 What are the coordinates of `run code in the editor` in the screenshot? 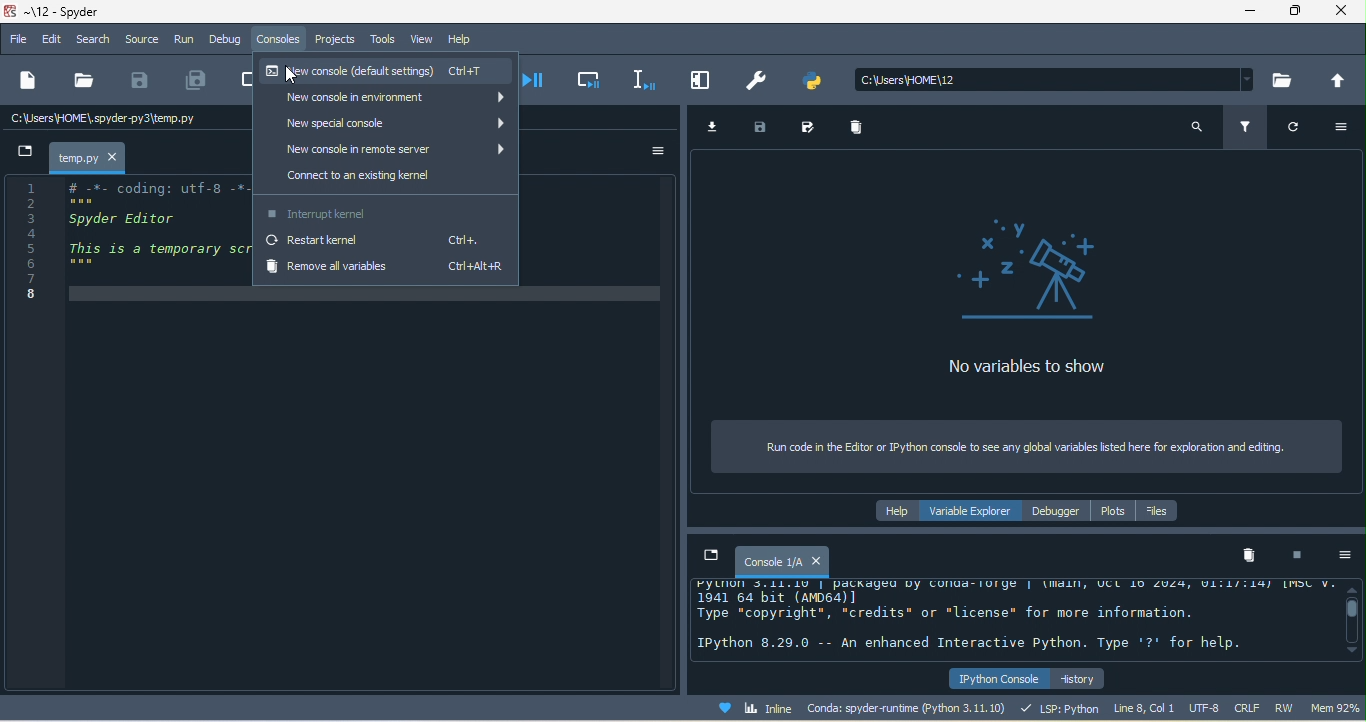 It's located at (1029, 448).